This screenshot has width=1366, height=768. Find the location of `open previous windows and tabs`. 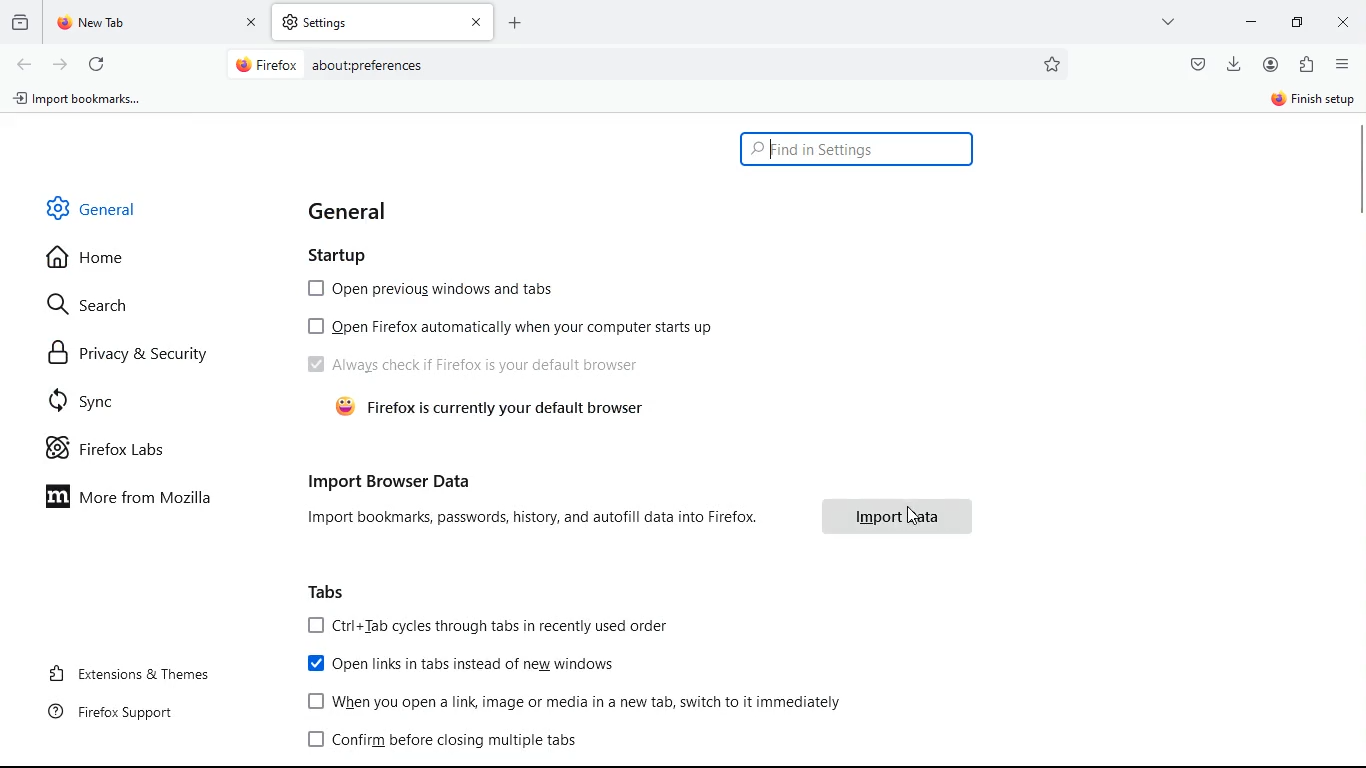

open previous windows and tabs is located at coordinates (436, 288).